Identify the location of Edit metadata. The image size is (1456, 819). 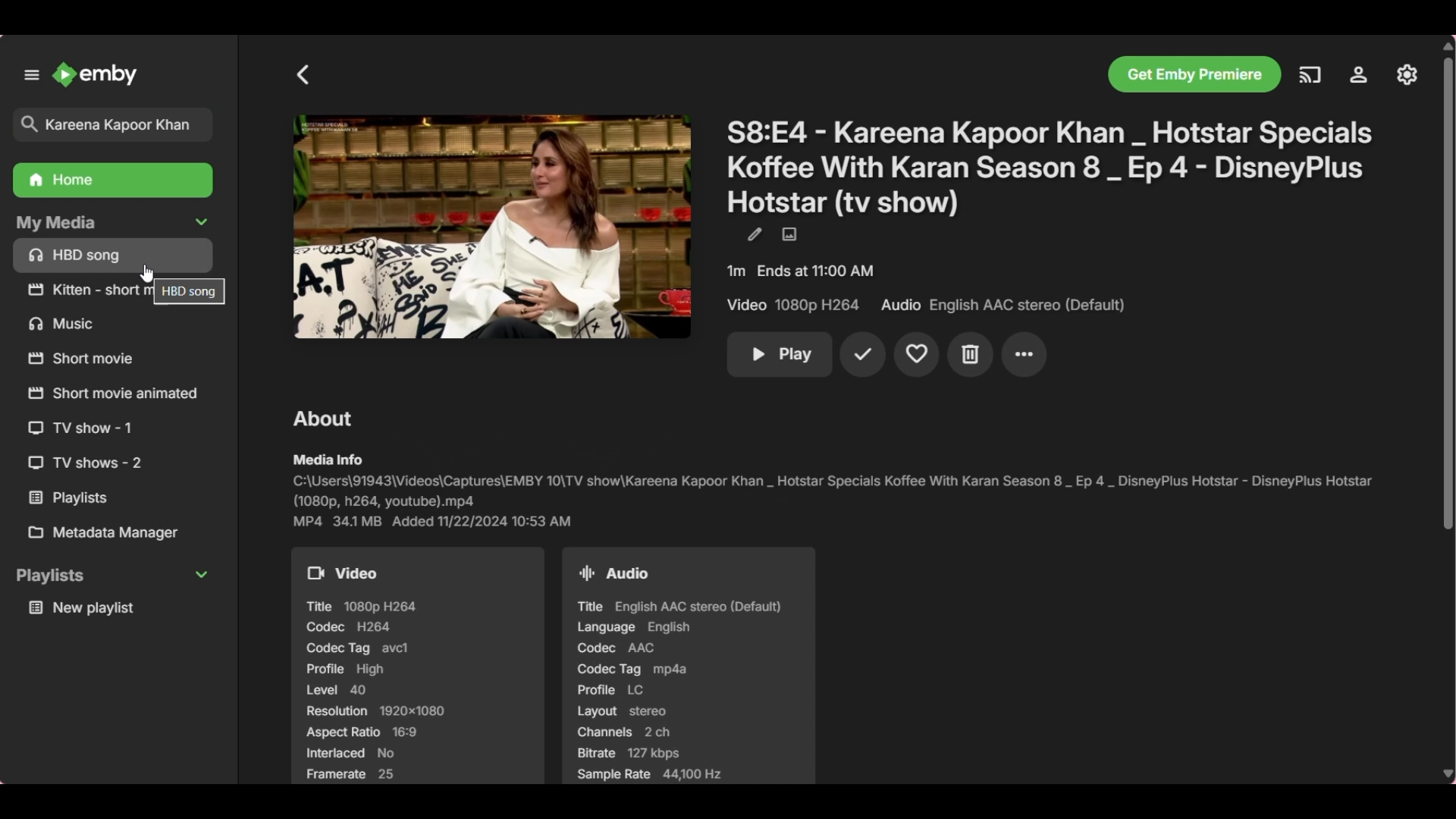
(755, 234).